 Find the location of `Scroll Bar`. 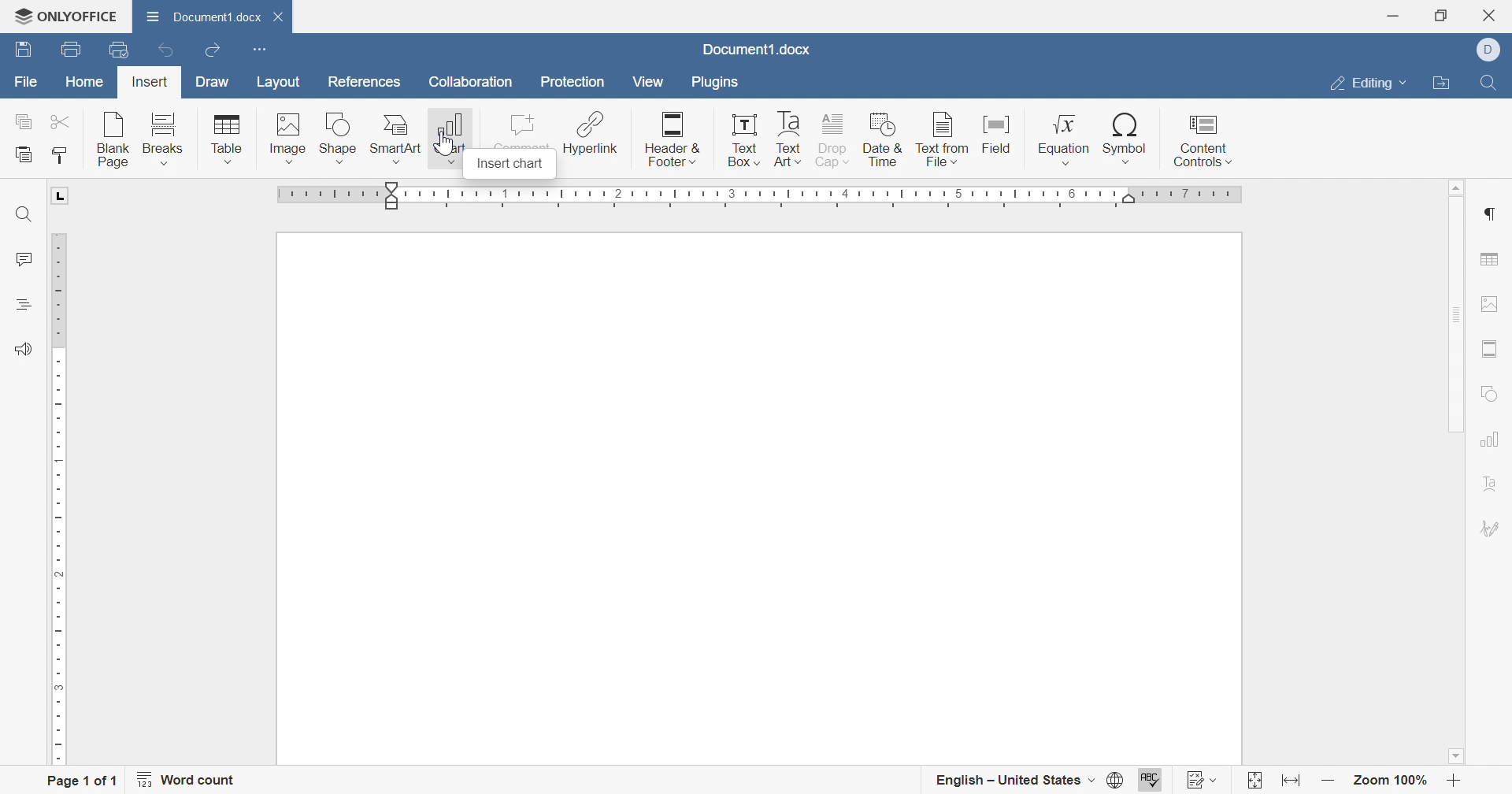

Scroll Bar is located at coordinates (1456, 315).